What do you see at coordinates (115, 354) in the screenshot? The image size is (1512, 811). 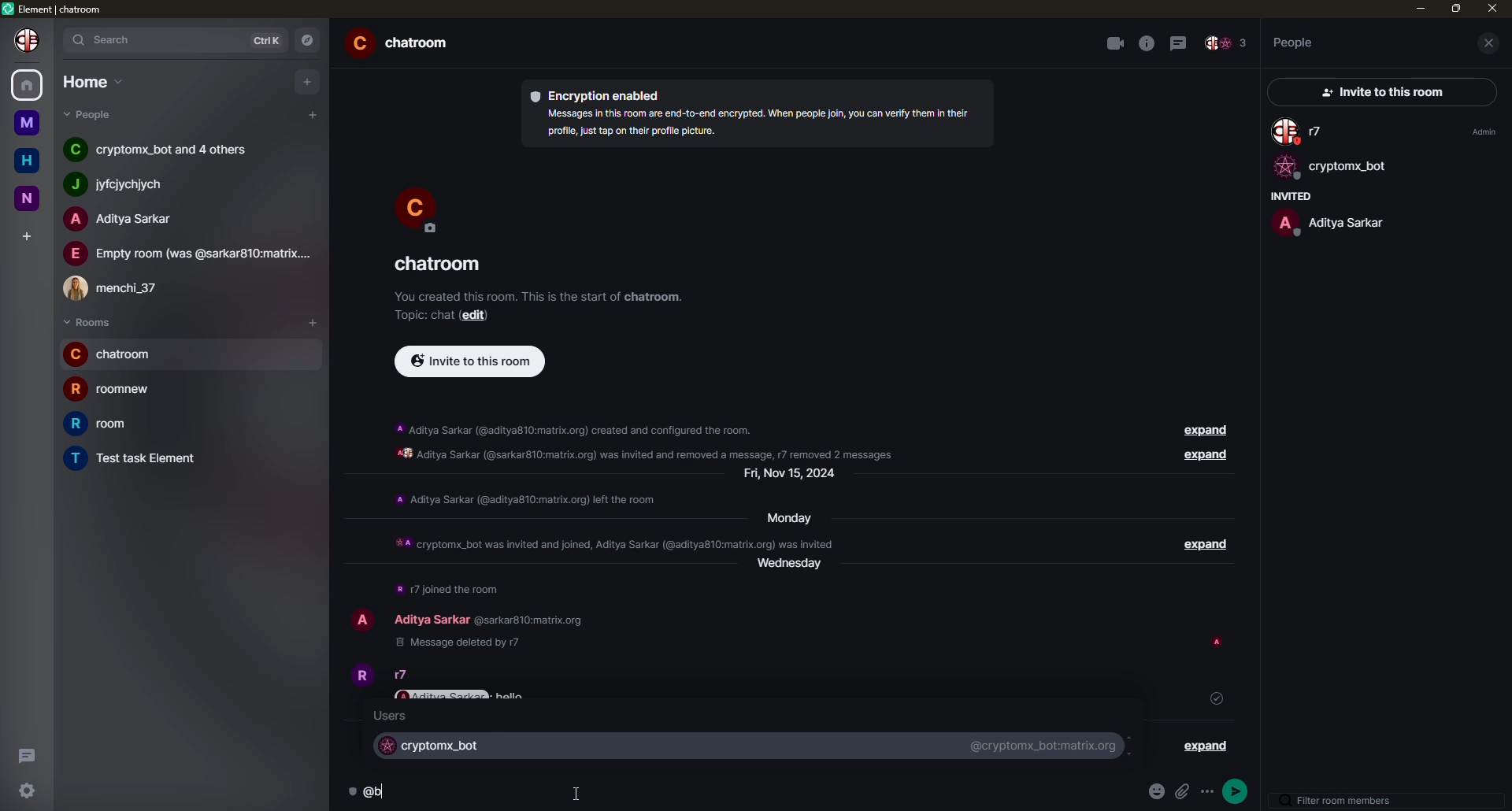 I see `room` at bounding box center [115, 354].